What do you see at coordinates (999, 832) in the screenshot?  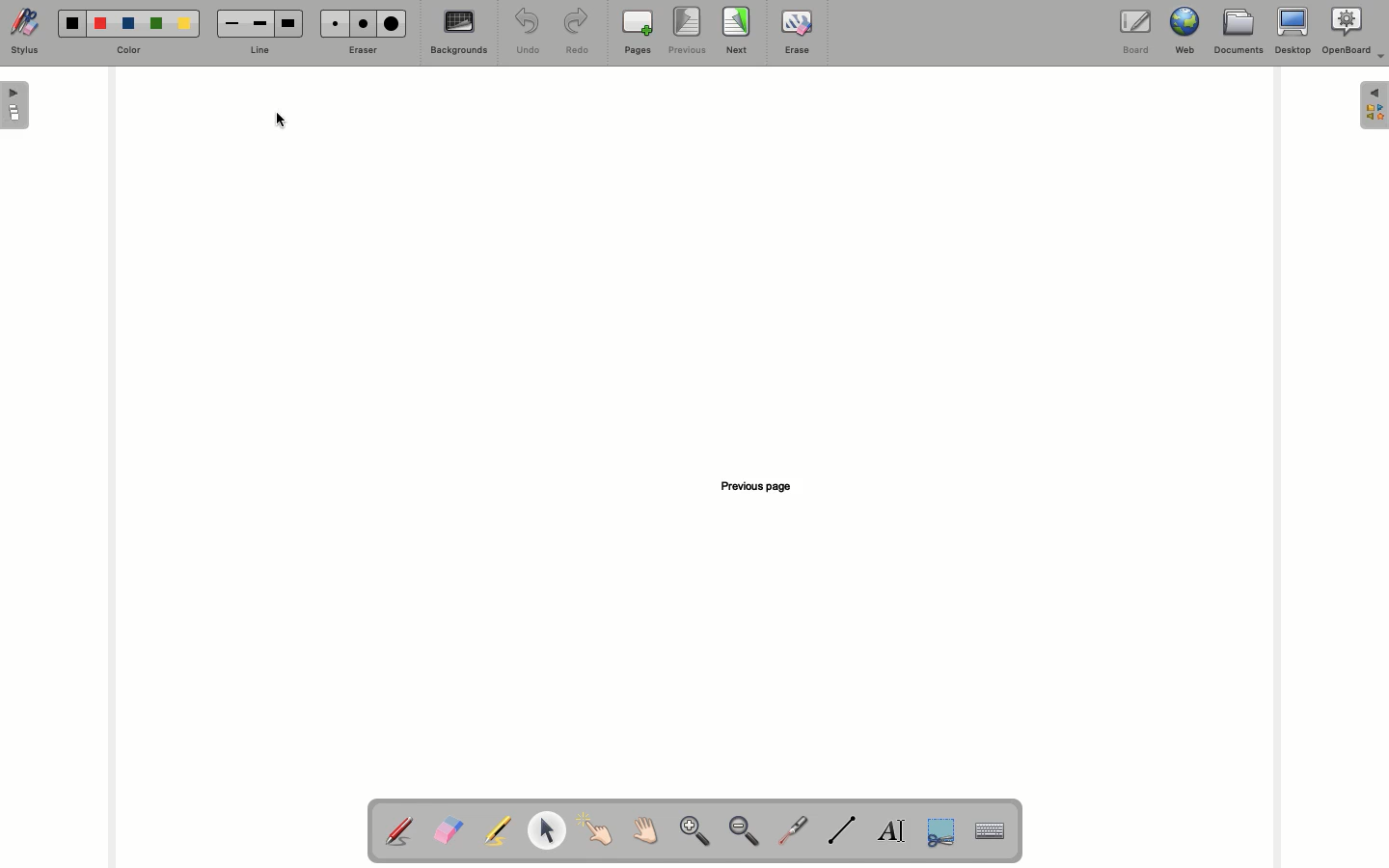 I see `Display virtual keyboard` at bounding box center [999, 832].